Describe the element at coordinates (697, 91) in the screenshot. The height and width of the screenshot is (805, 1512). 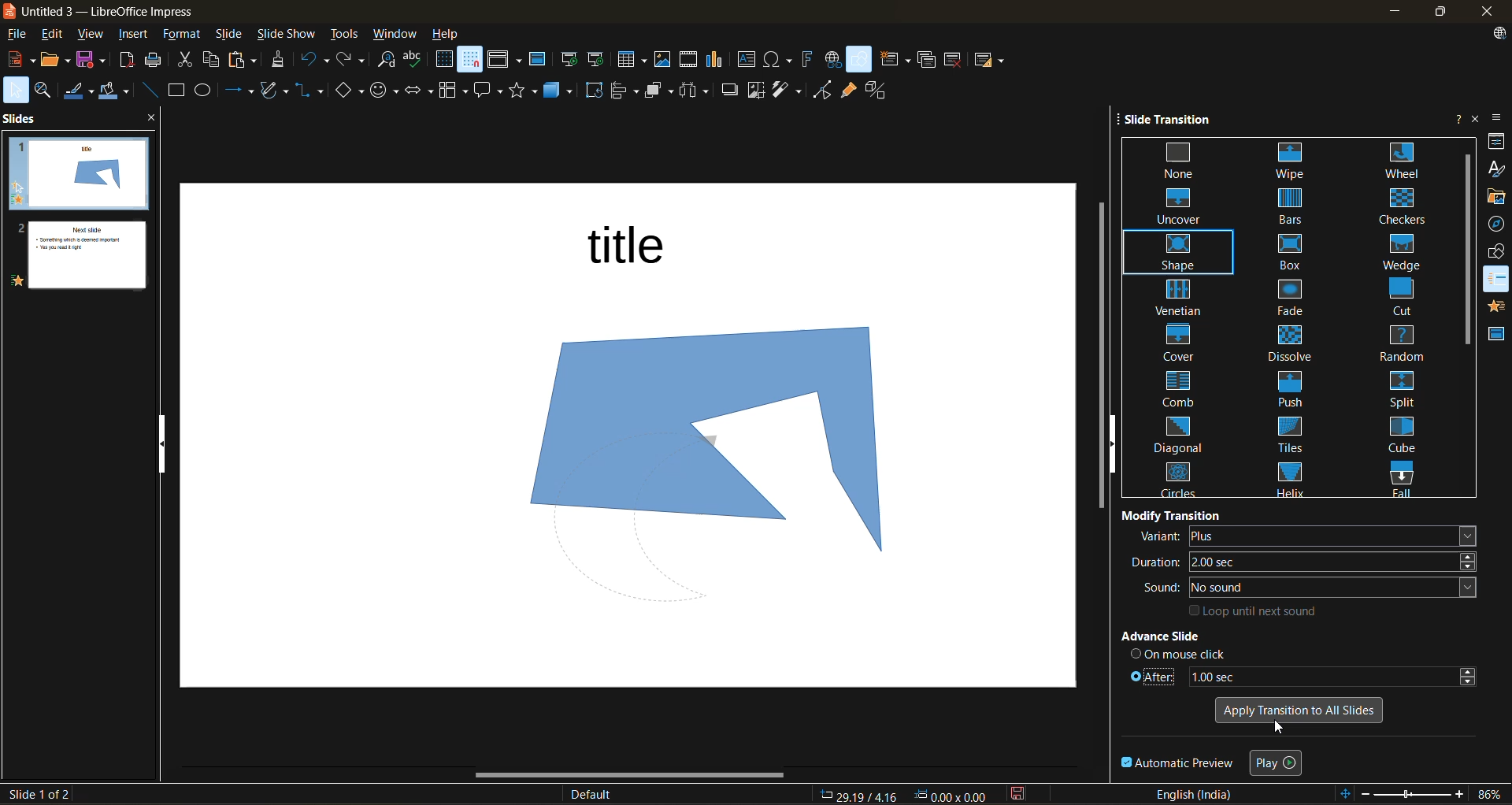
I see `distribute` at that location.